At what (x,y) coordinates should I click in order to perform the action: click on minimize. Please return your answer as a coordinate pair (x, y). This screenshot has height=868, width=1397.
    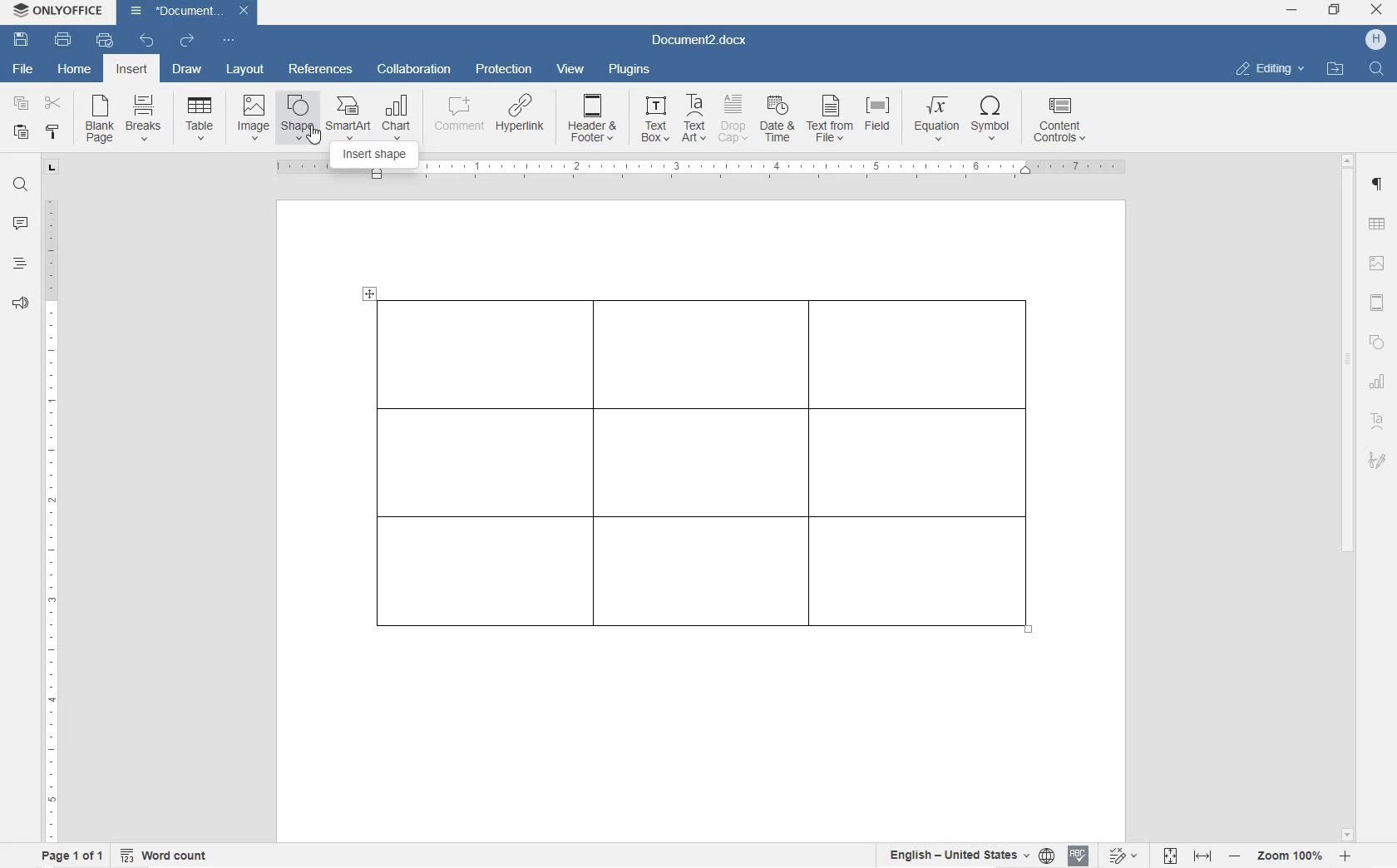
    Looking at the image, I should click on (1291, 10).